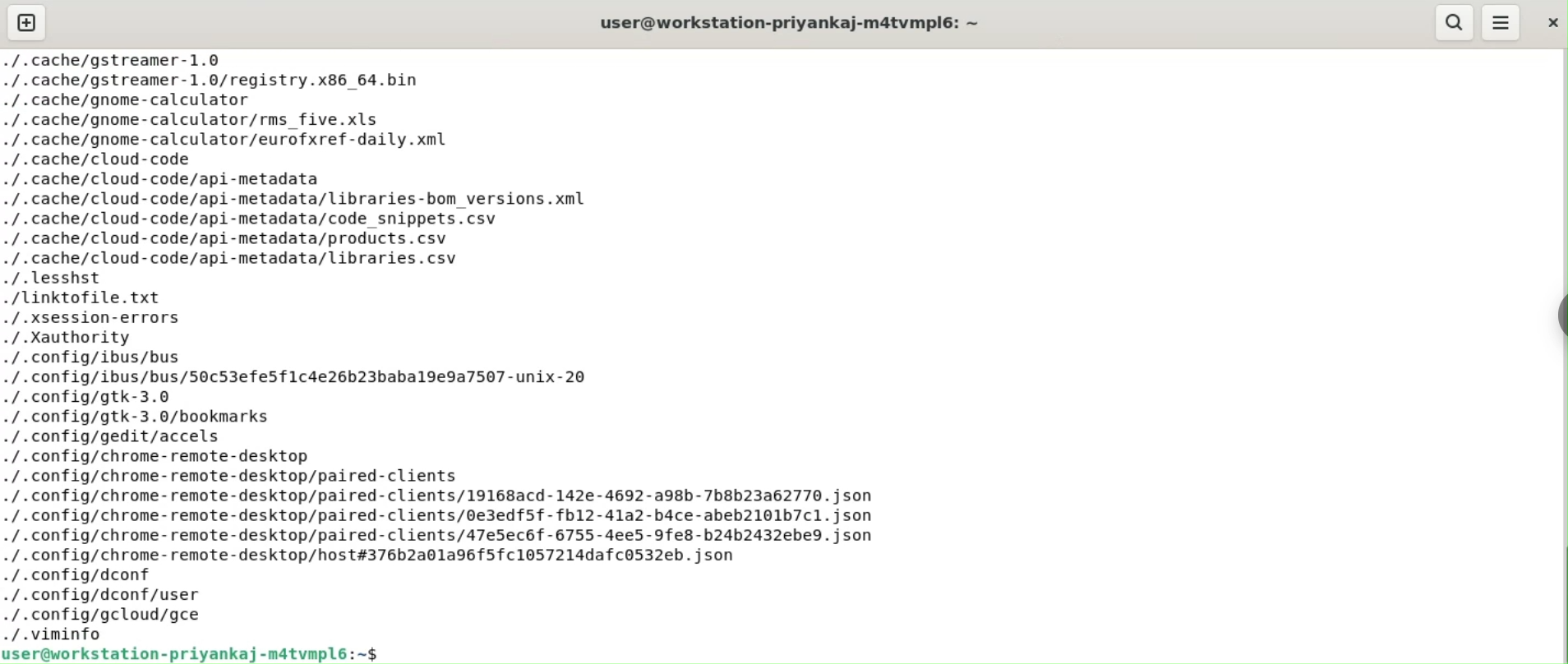 The width and height of the screenshot is (1568, 664). Describe the element at coordinates (1552, 22) in the screenshot. I see `close` at that location.